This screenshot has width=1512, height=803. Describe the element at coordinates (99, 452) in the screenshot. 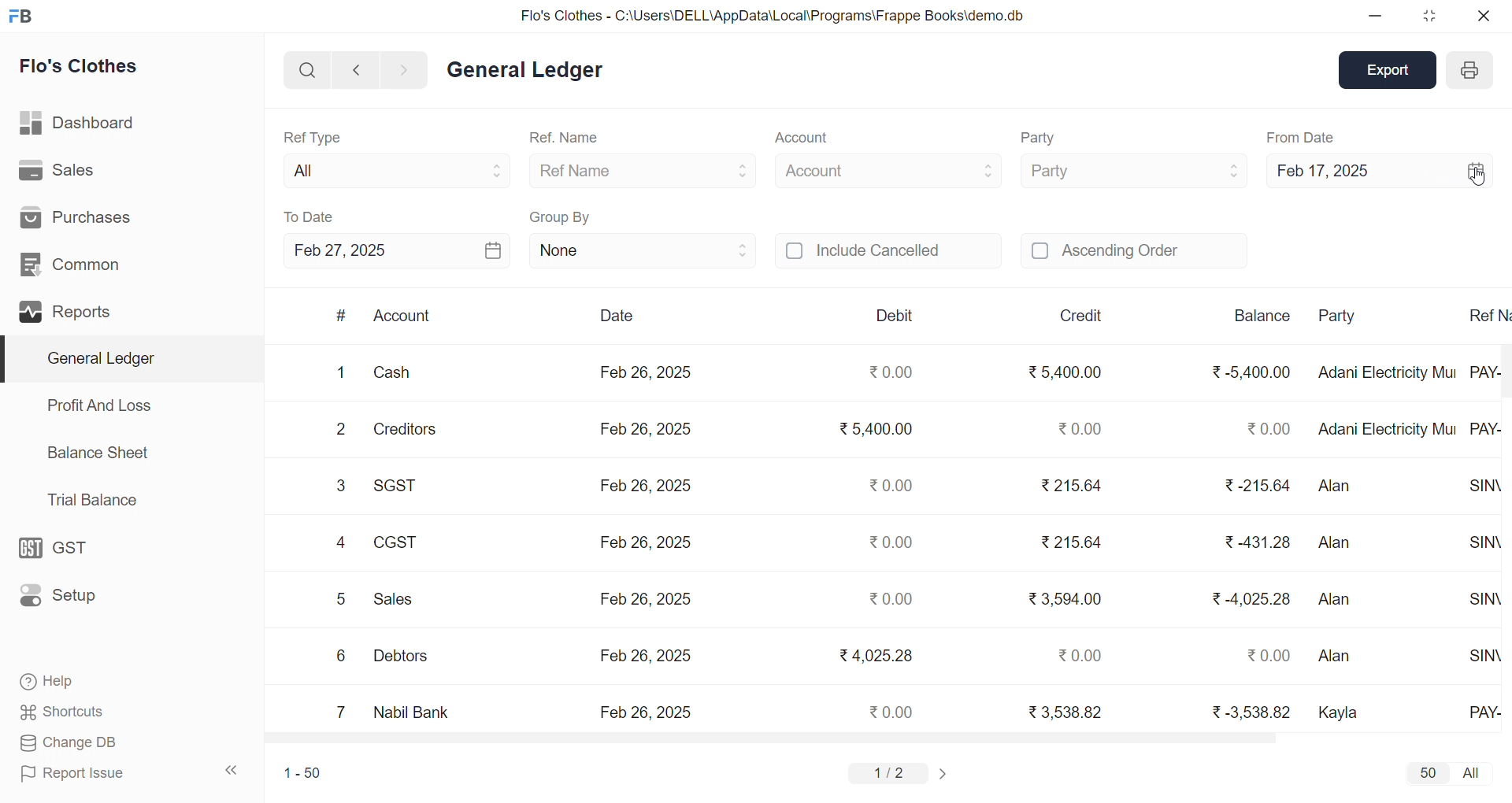

I see `Balance Sheet` at that location.